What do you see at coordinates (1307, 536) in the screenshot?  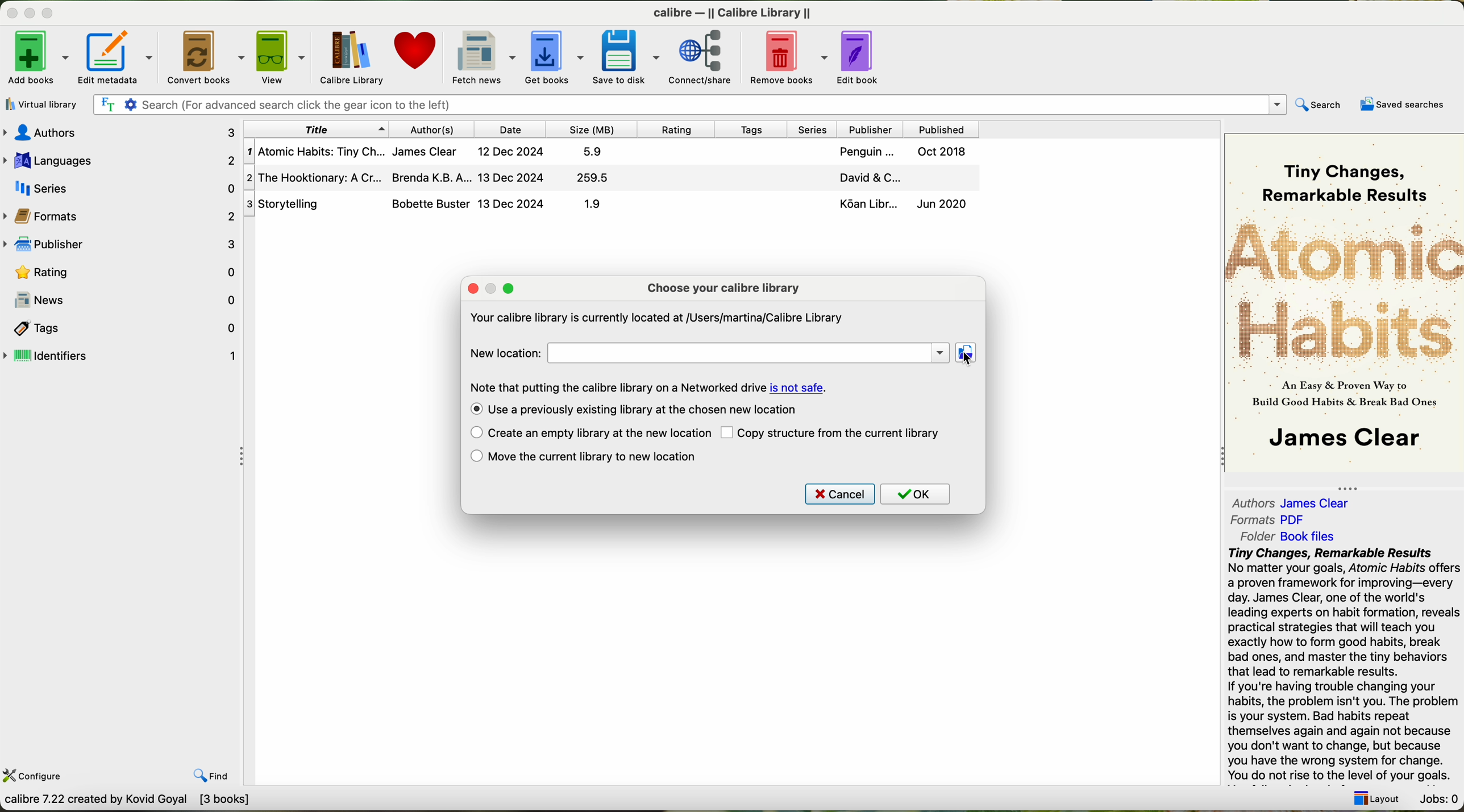 I see `Book file` at bounding box center [1307, 536].